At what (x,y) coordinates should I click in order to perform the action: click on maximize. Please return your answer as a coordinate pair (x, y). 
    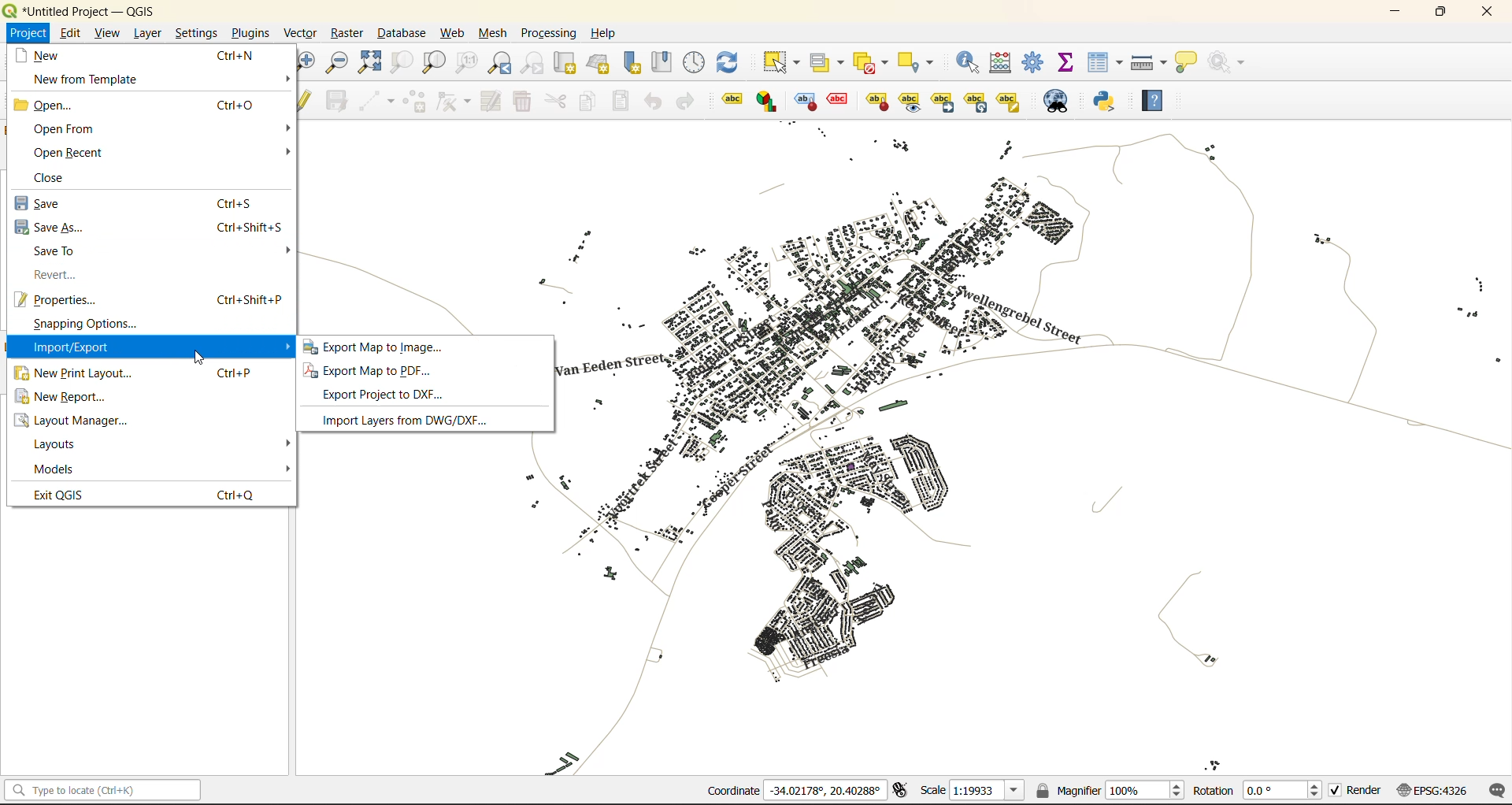
    Looking at the image, I should click on (1441, 12).